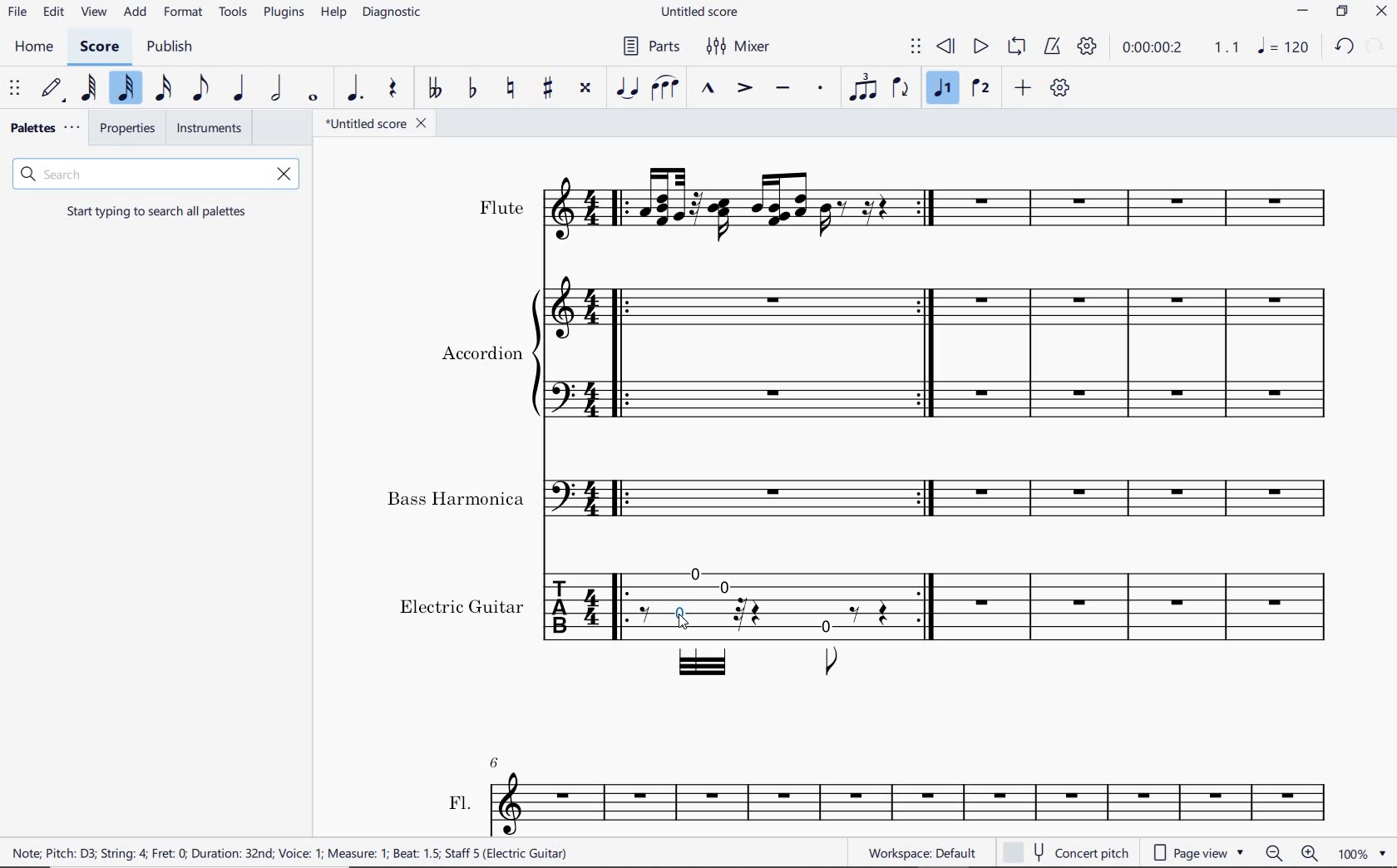 The image size is (1397, 868). I want to click on add, so click(1025, 89).